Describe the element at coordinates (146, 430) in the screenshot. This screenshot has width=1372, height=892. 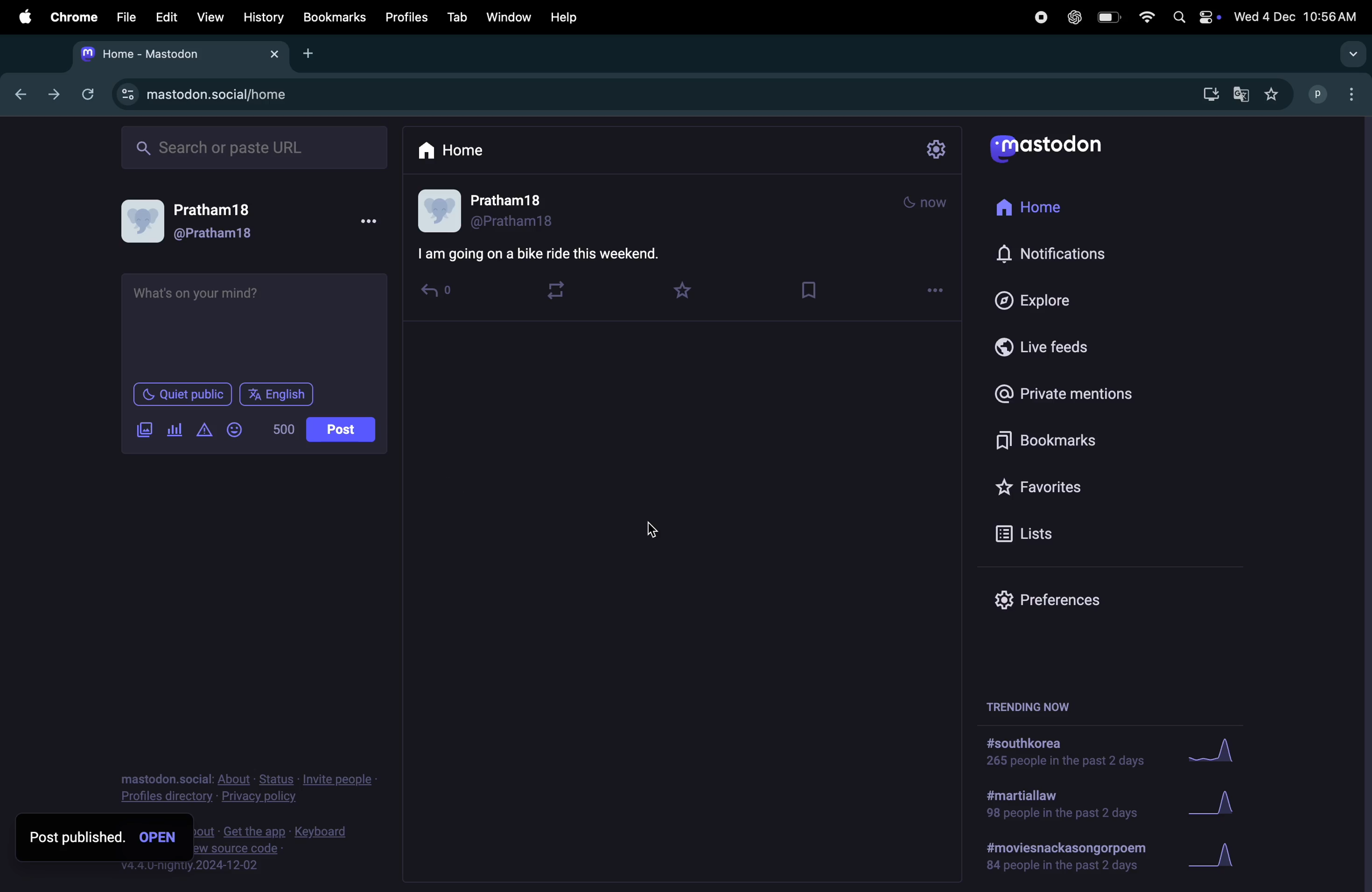
I see `add image` at that location.